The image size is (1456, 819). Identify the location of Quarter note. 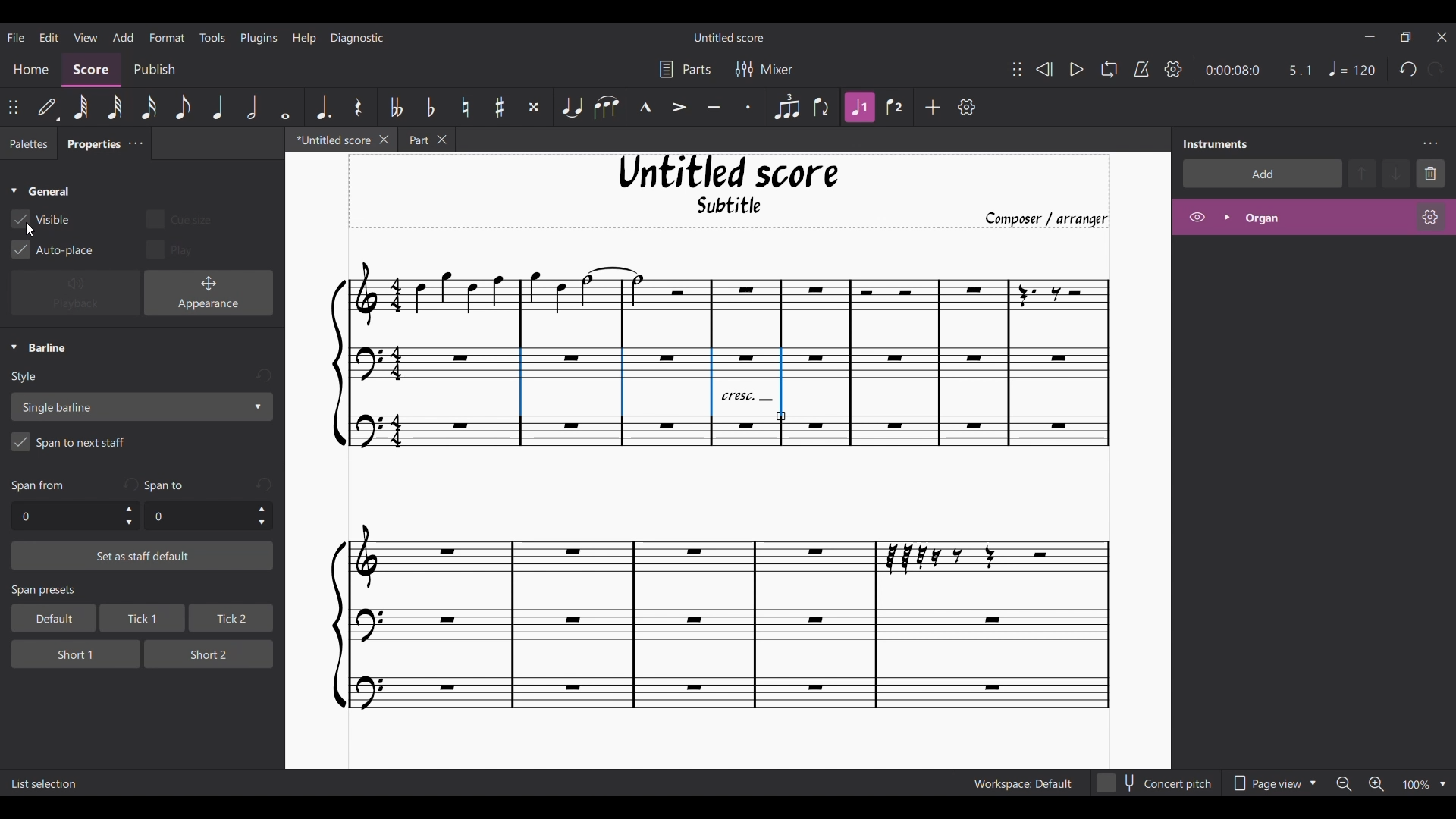
(218, 107).